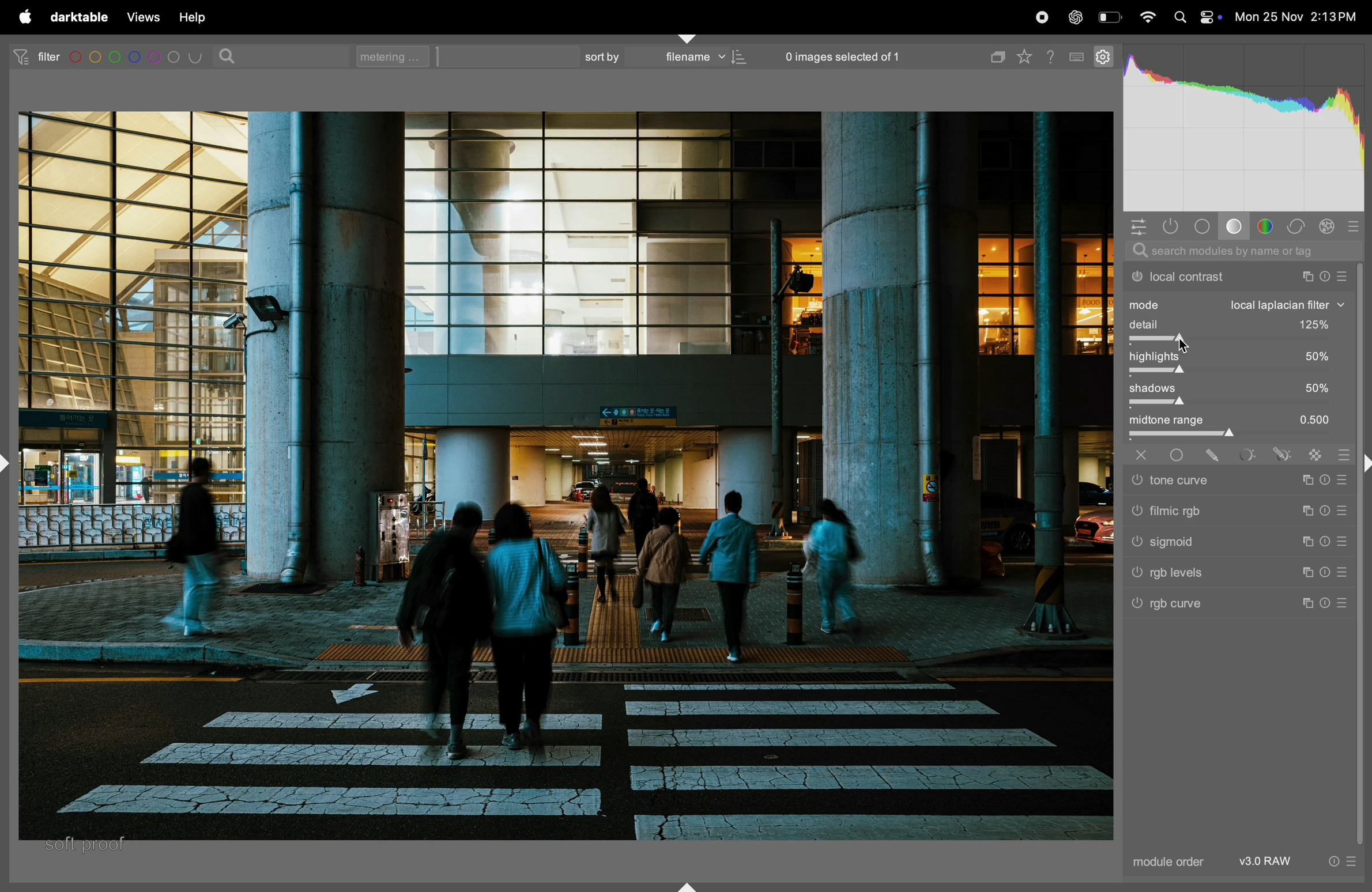 This screenshot has width=1372, height=892. What do you see at coordinates (22, 17) in the screenshot?
I see `apple menu` at bounding box center [22, 17].